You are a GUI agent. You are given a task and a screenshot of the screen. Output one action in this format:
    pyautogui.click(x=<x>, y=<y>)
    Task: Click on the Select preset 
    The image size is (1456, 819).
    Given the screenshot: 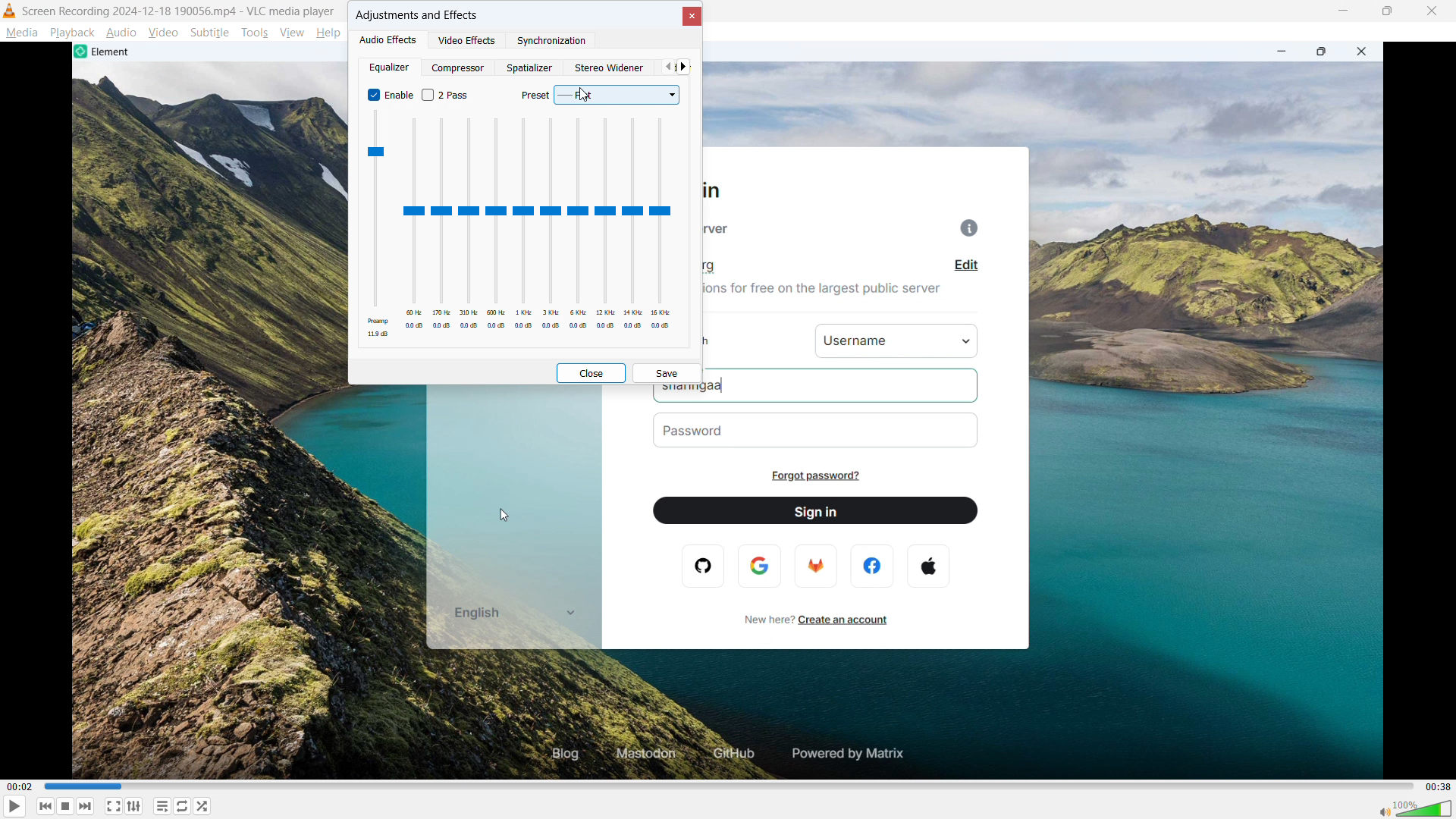 What is the action you would take?
    pyautogui.click(x=598, y=96)
    